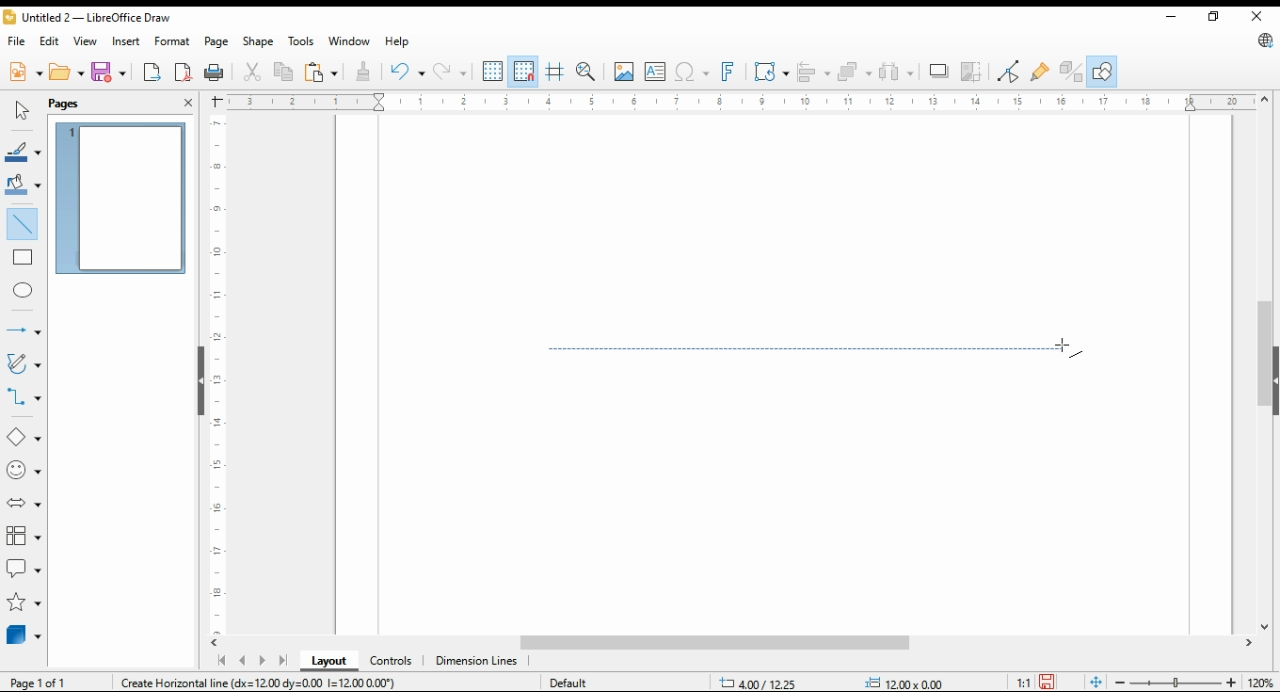 The width and height of the screenshot is (1280, 692). Describe the element at coordinates (126, 40) in the screenshot. I see `insert` at that location.